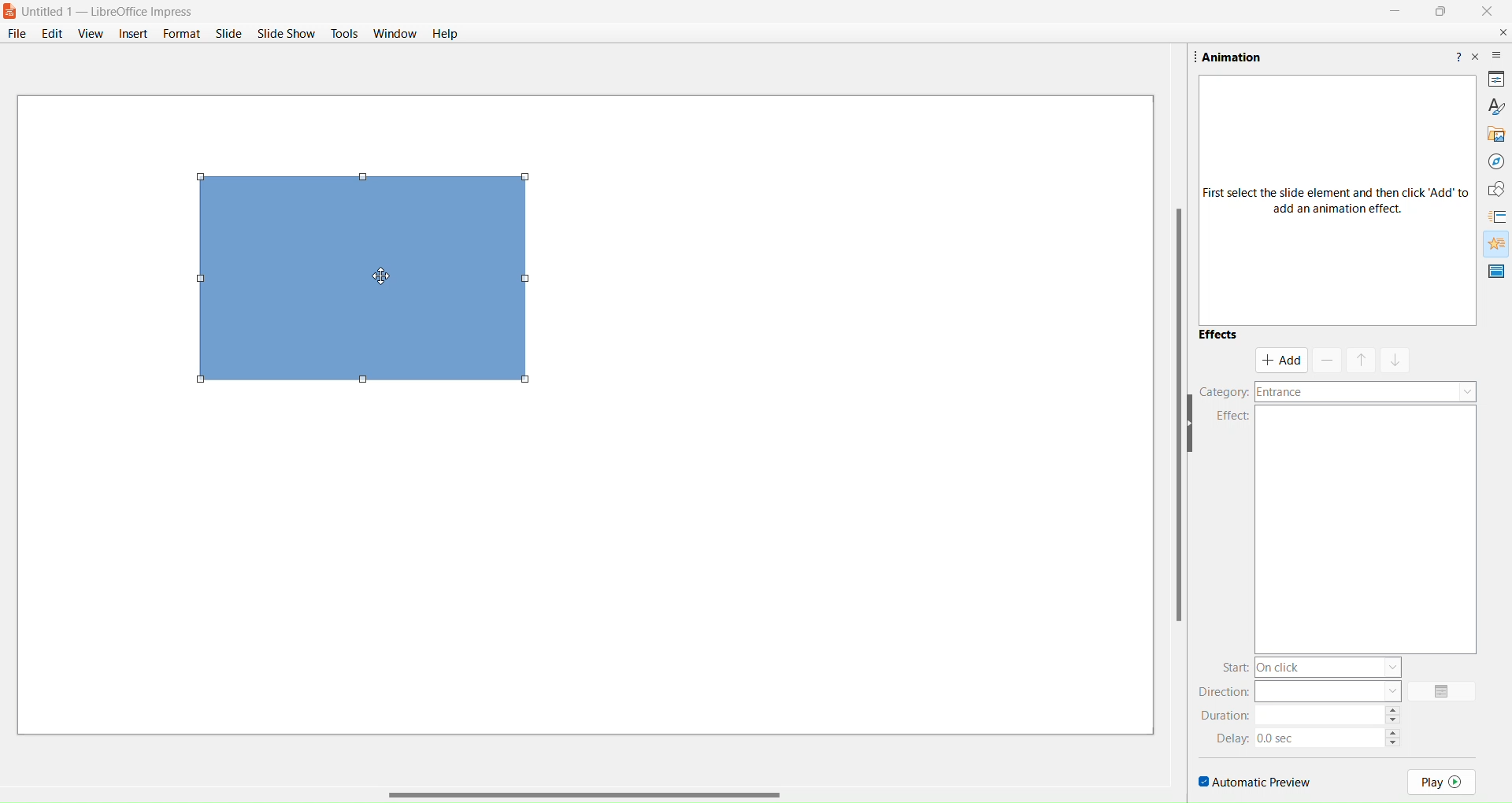 The width and height of the screenshot is (1512, 803). Describe the element at coordinates (1492, 187) in the screenshot. I see `shapes` at that location.